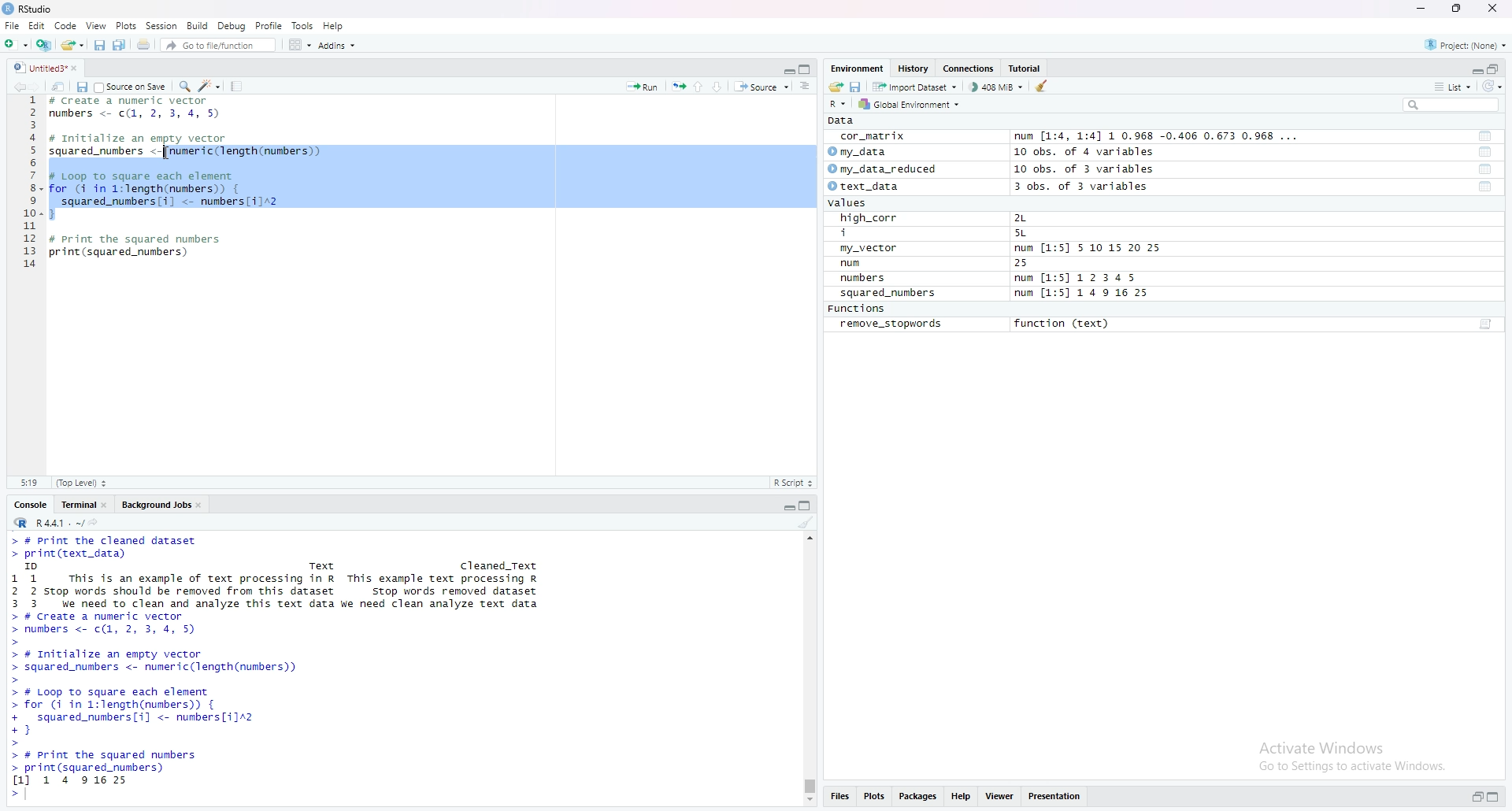 The height and width of the screenshot is (811, 1512). Describe the element at coordinates (58, 85) in the screenshot. I see `show in new window` at that location.